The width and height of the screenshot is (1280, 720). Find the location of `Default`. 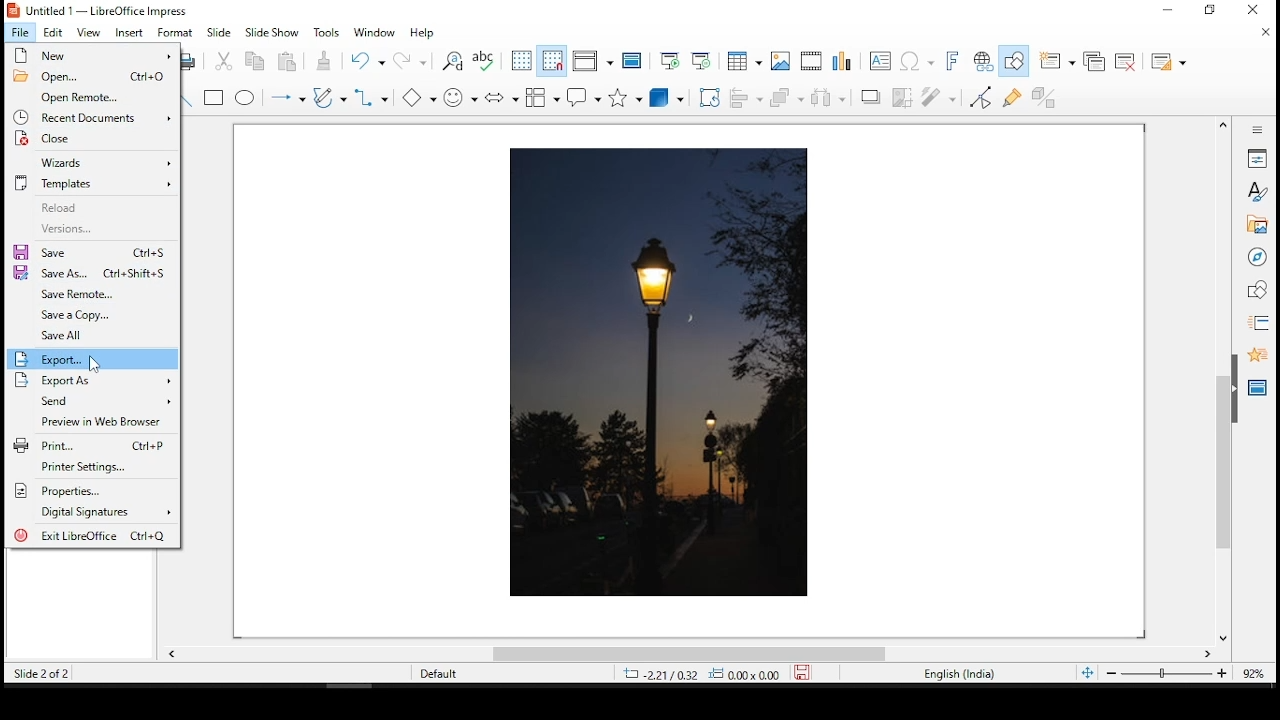

Default is located at coordinates (439, 673).